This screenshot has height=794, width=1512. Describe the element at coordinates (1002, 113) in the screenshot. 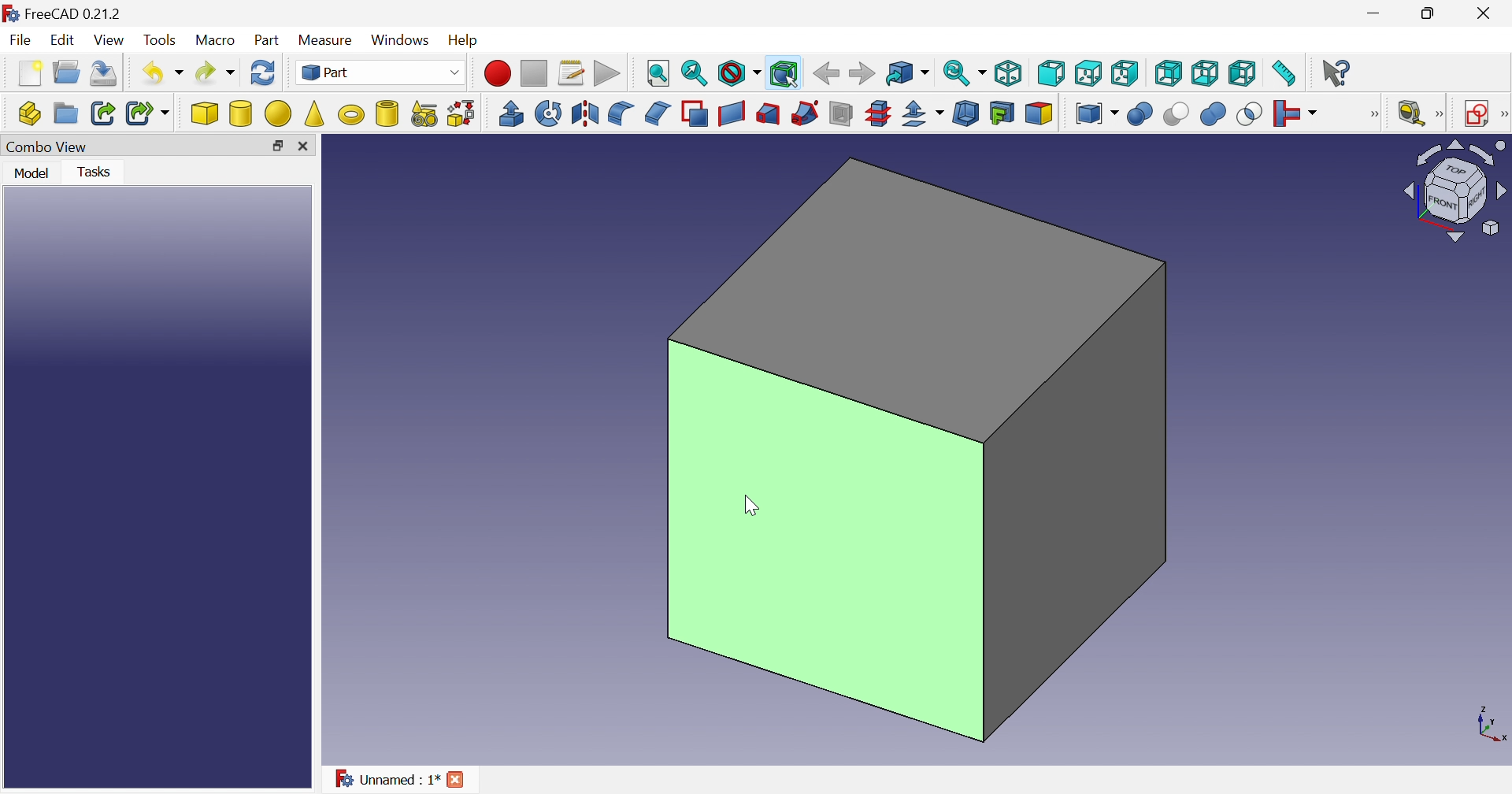

I see `Create projection on surface...` at that location.